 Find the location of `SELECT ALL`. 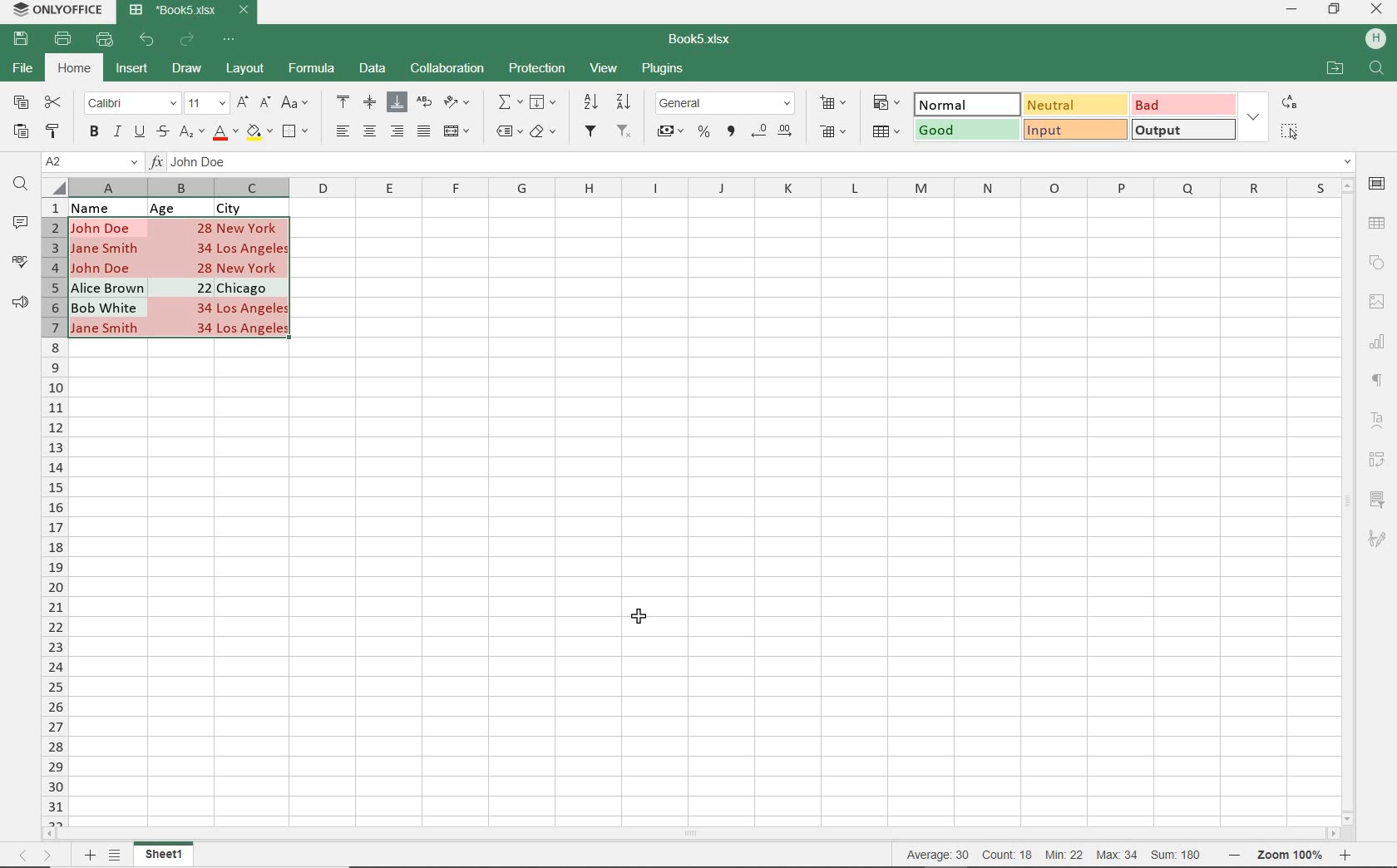

SELECT ALL is located at coordinates (1289, 131).